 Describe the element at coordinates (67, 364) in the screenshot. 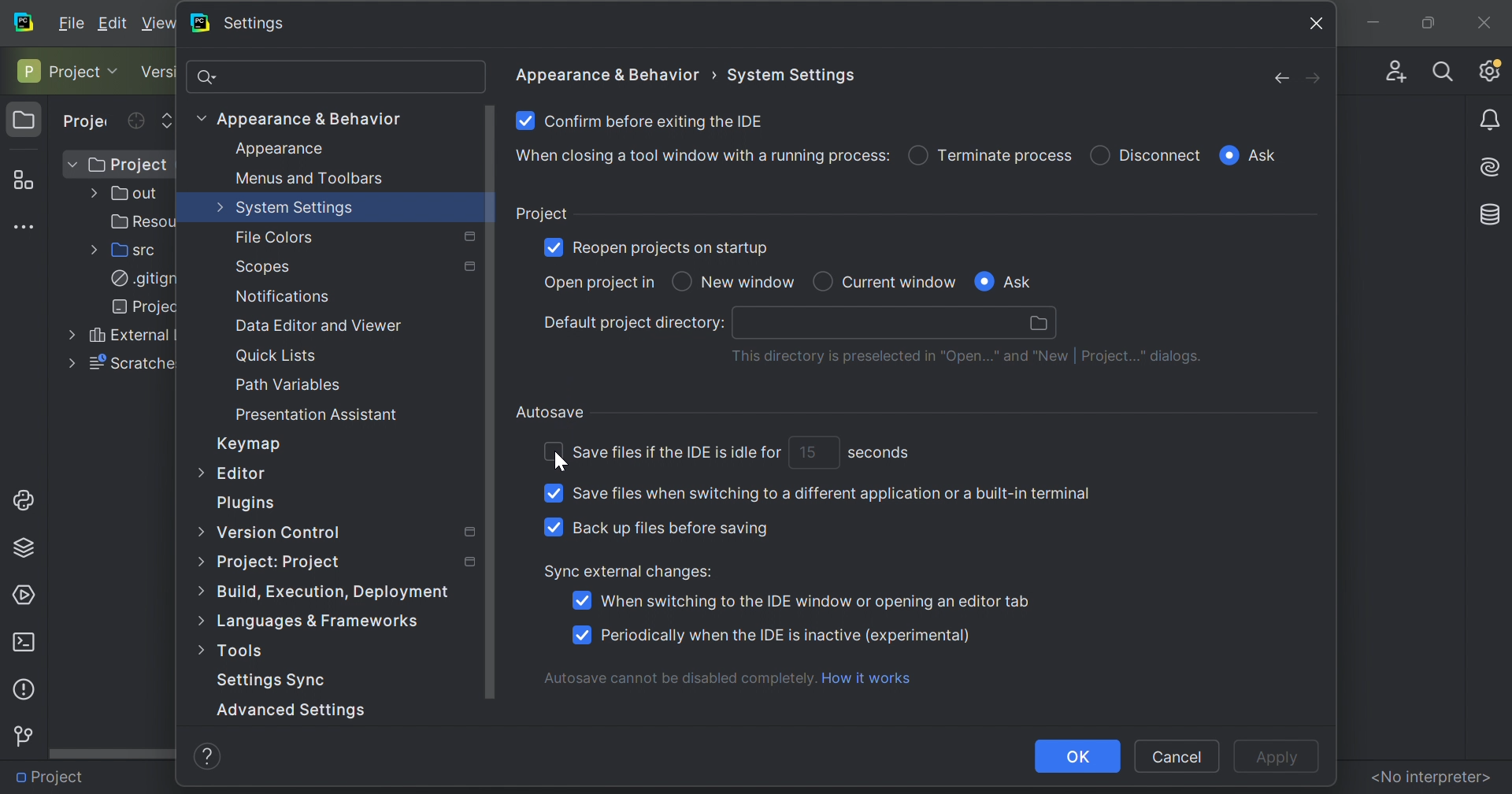

I see `More` at that location.